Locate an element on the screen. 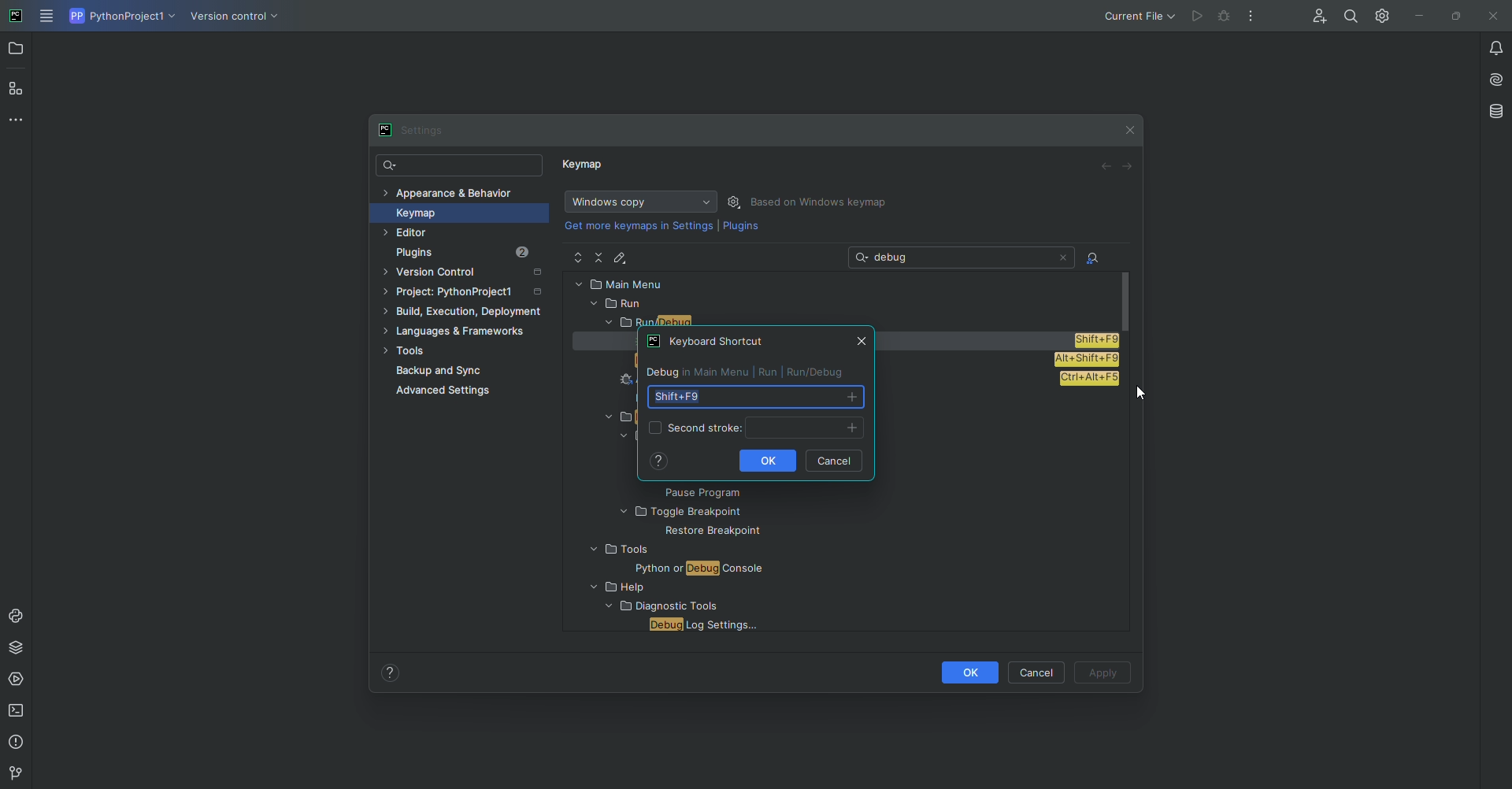  Plugins is located at coordinates (741, 229).